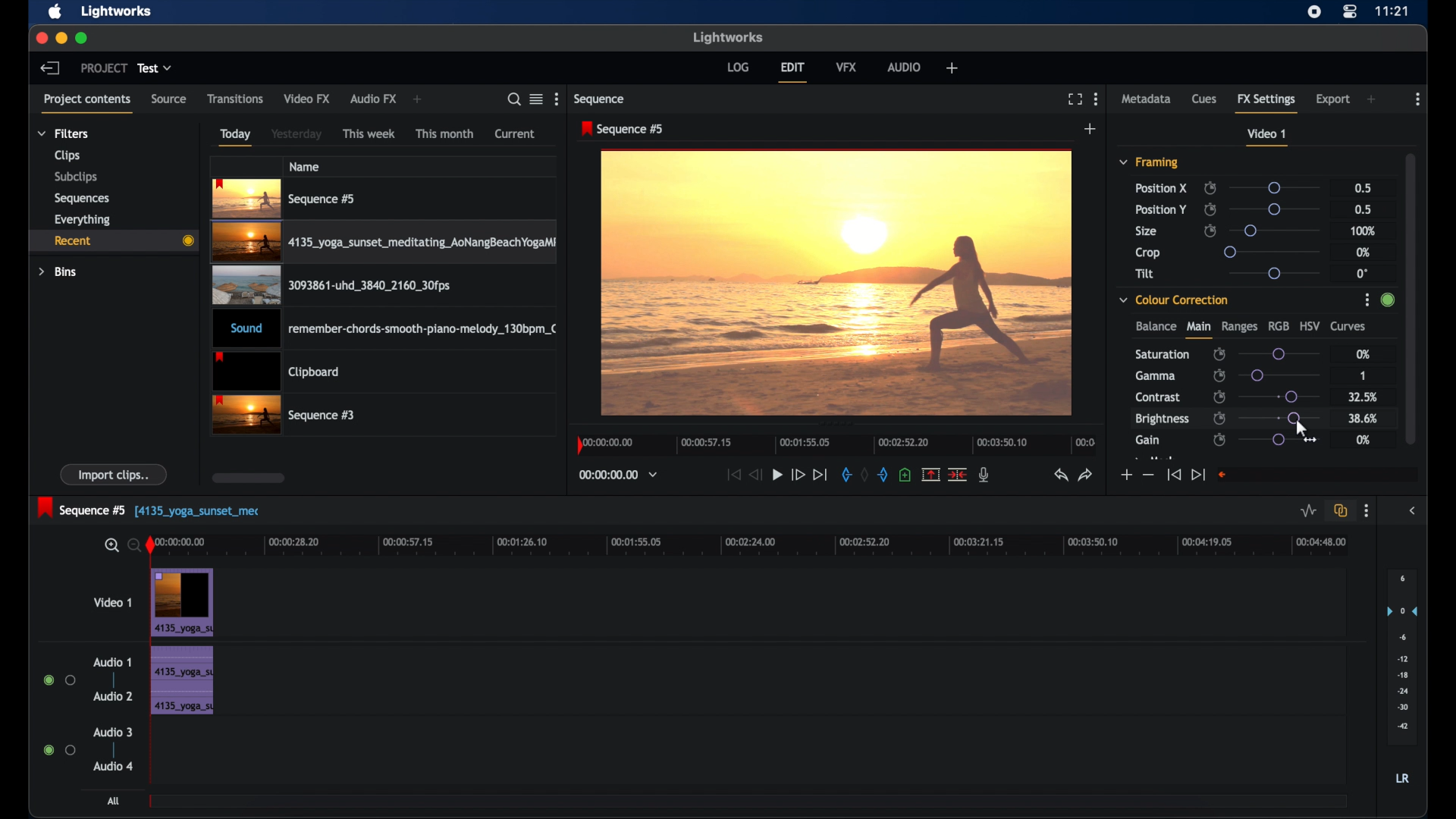 This screenshot has height=819, width=1456. I want to click on moreoptions, so click(1097, 98).